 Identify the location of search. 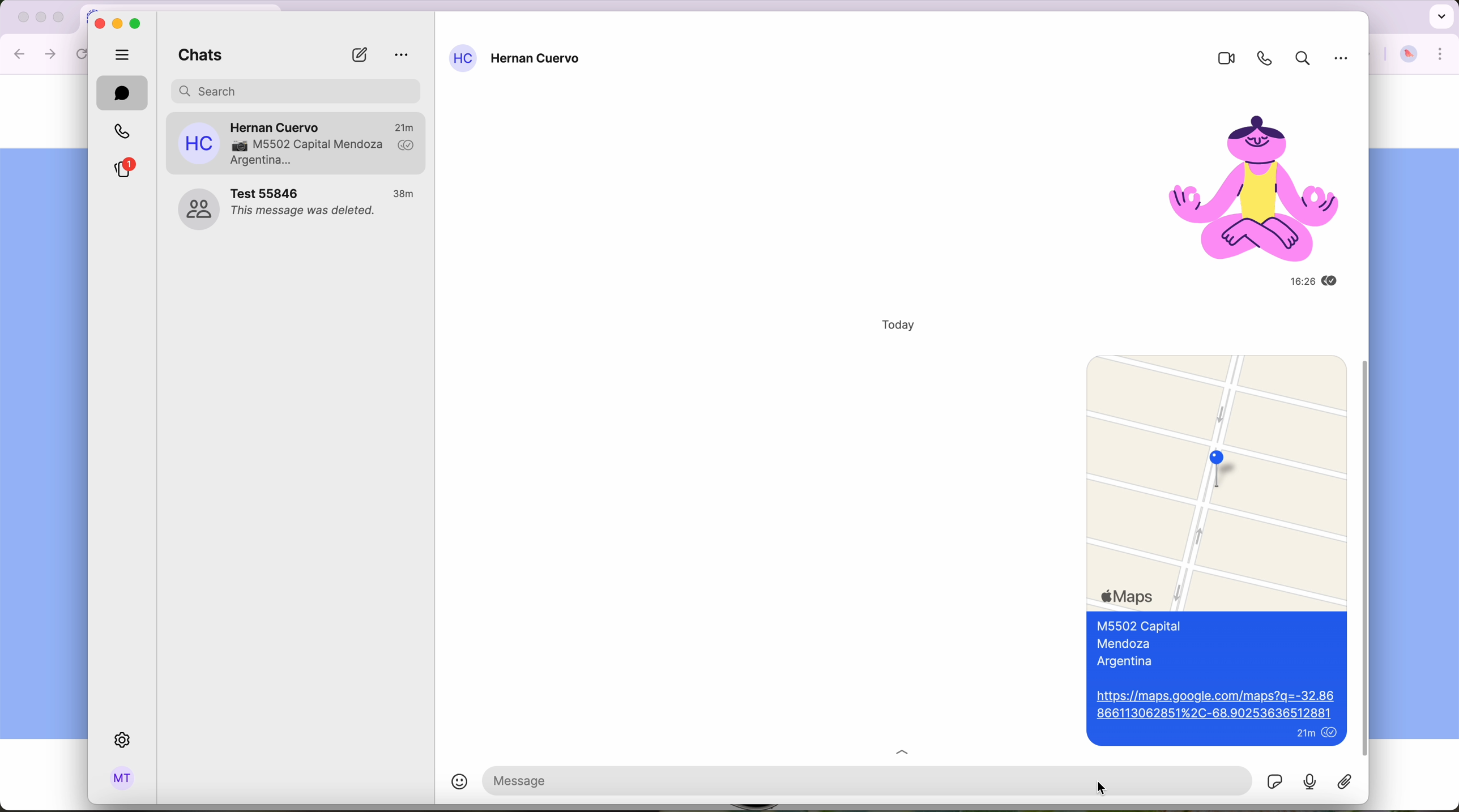
(1300, 60).